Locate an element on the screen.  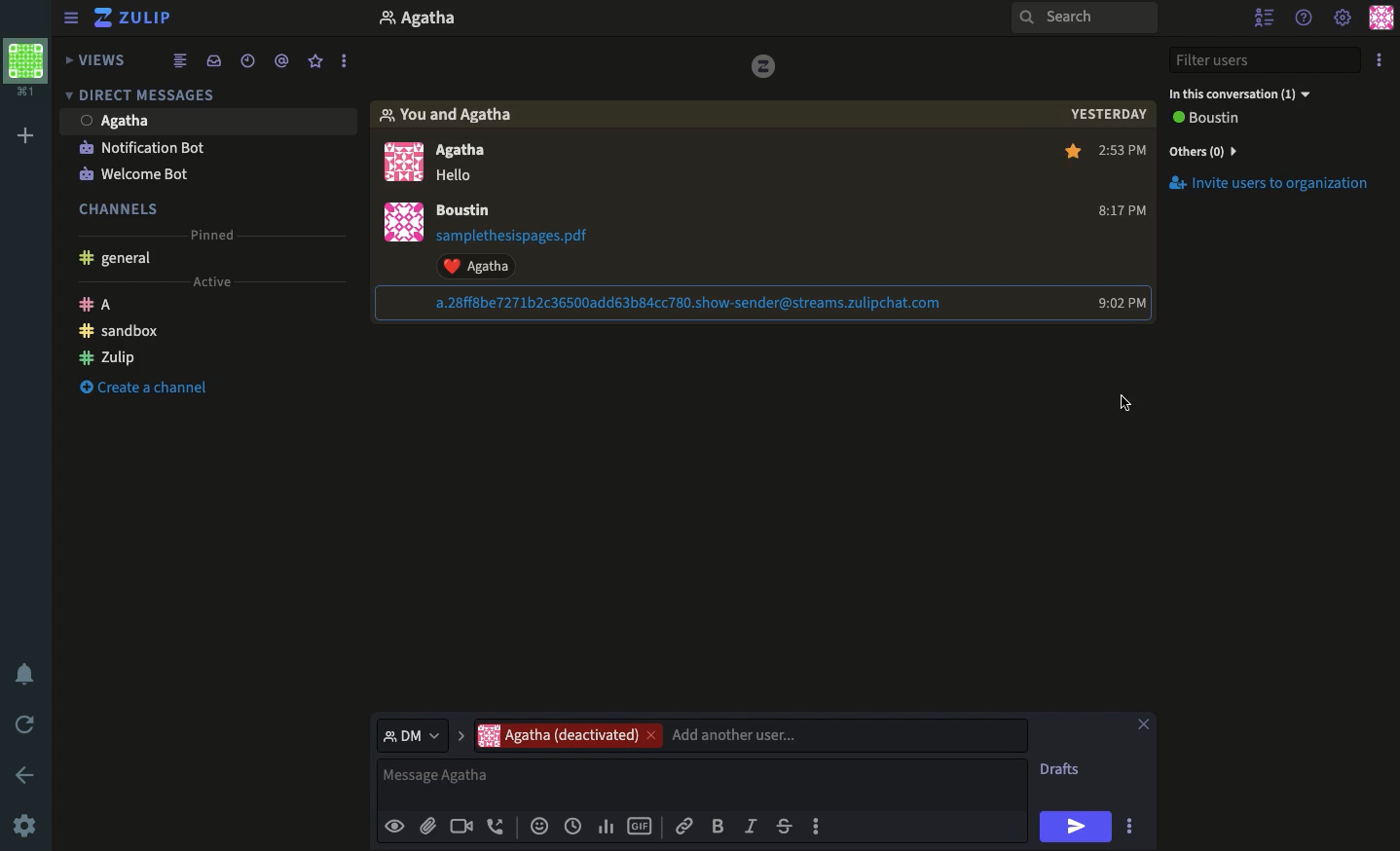
DMs is located at coordinates (142, 92).